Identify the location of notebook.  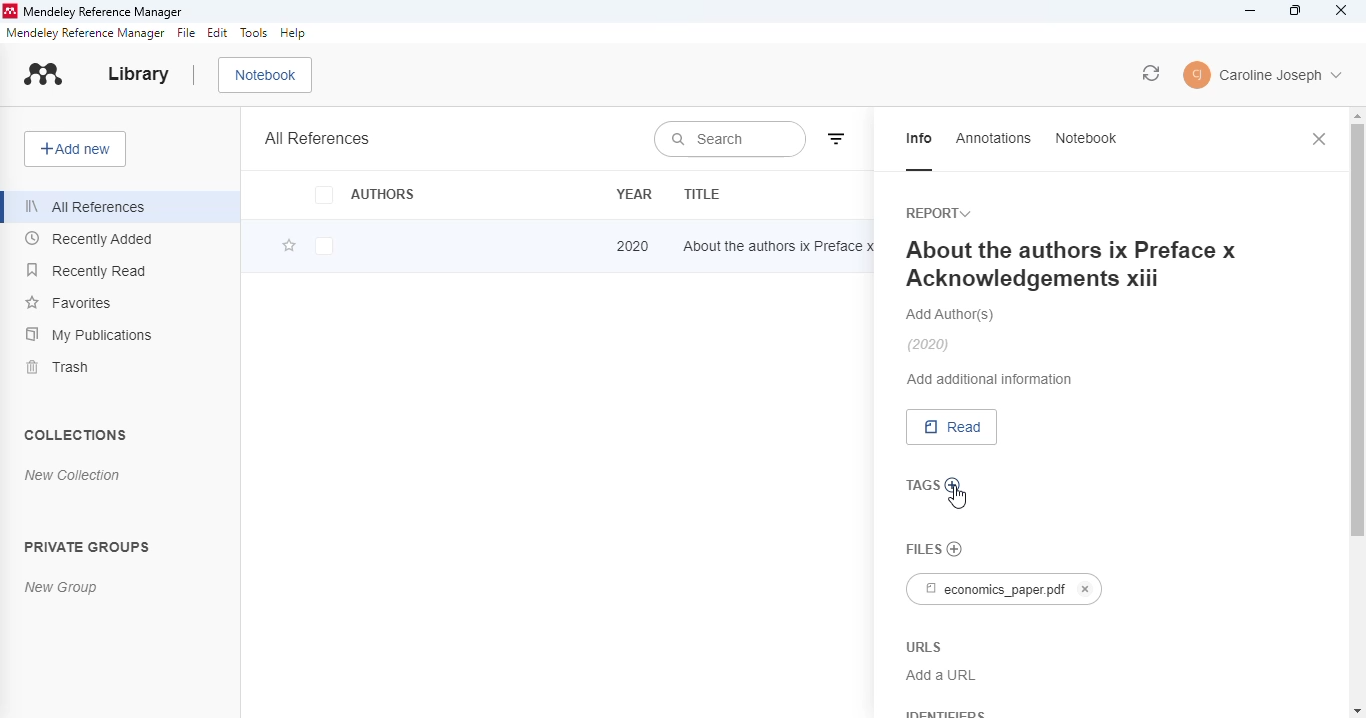
(1085, 137).